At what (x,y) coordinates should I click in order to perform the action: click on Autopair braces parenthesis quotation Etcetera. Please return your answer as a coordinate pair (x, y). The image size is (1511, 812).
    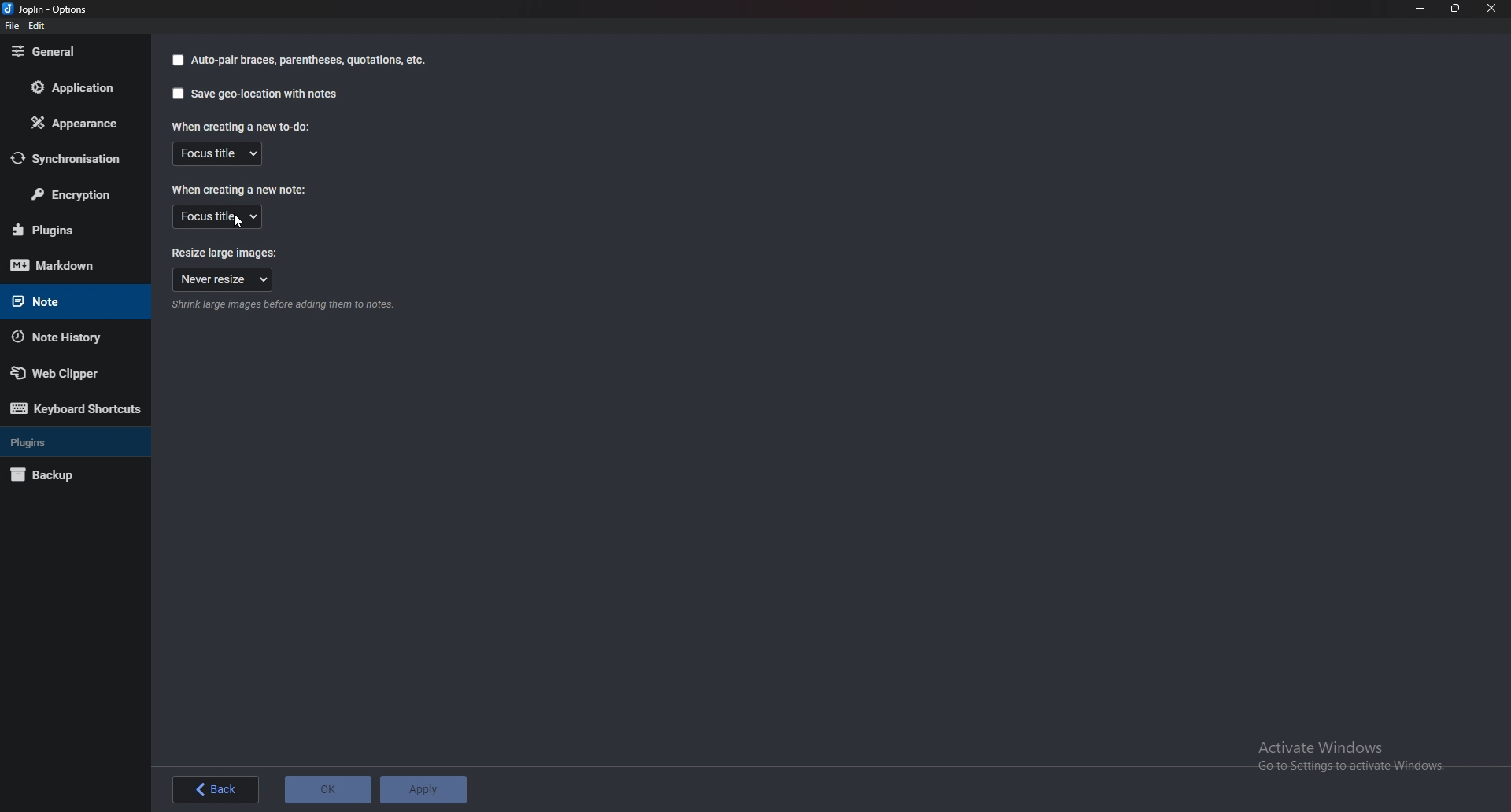
    Looking at the image, I should click on (309, 61).